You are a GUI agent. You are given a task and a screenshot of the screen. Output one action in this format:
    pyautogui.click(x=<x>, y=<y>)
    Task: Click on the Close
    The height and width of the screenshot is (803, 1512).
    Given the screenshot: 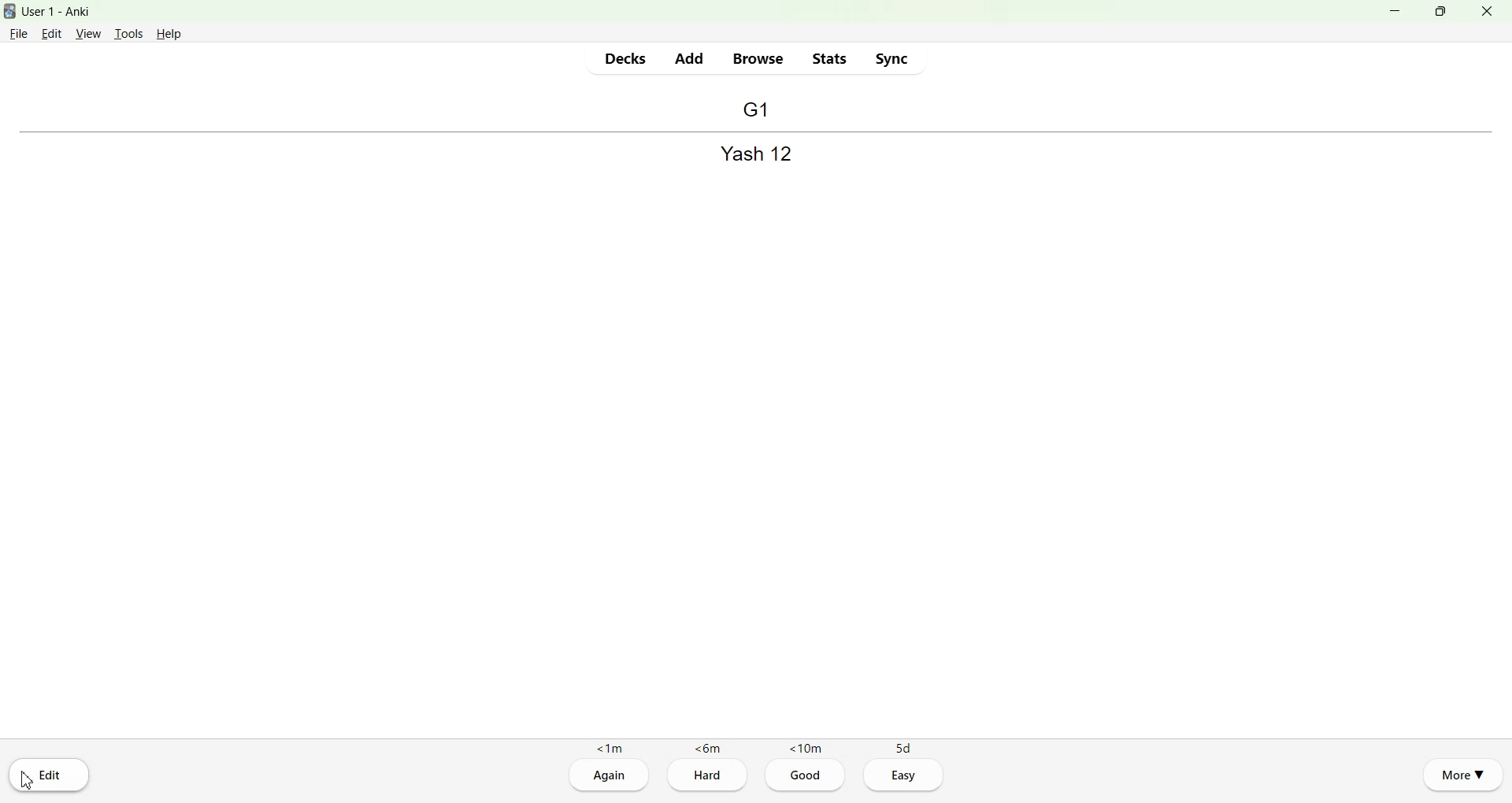 What is the action you would take?
    pyautogui.click(x=1486, y=11)
    